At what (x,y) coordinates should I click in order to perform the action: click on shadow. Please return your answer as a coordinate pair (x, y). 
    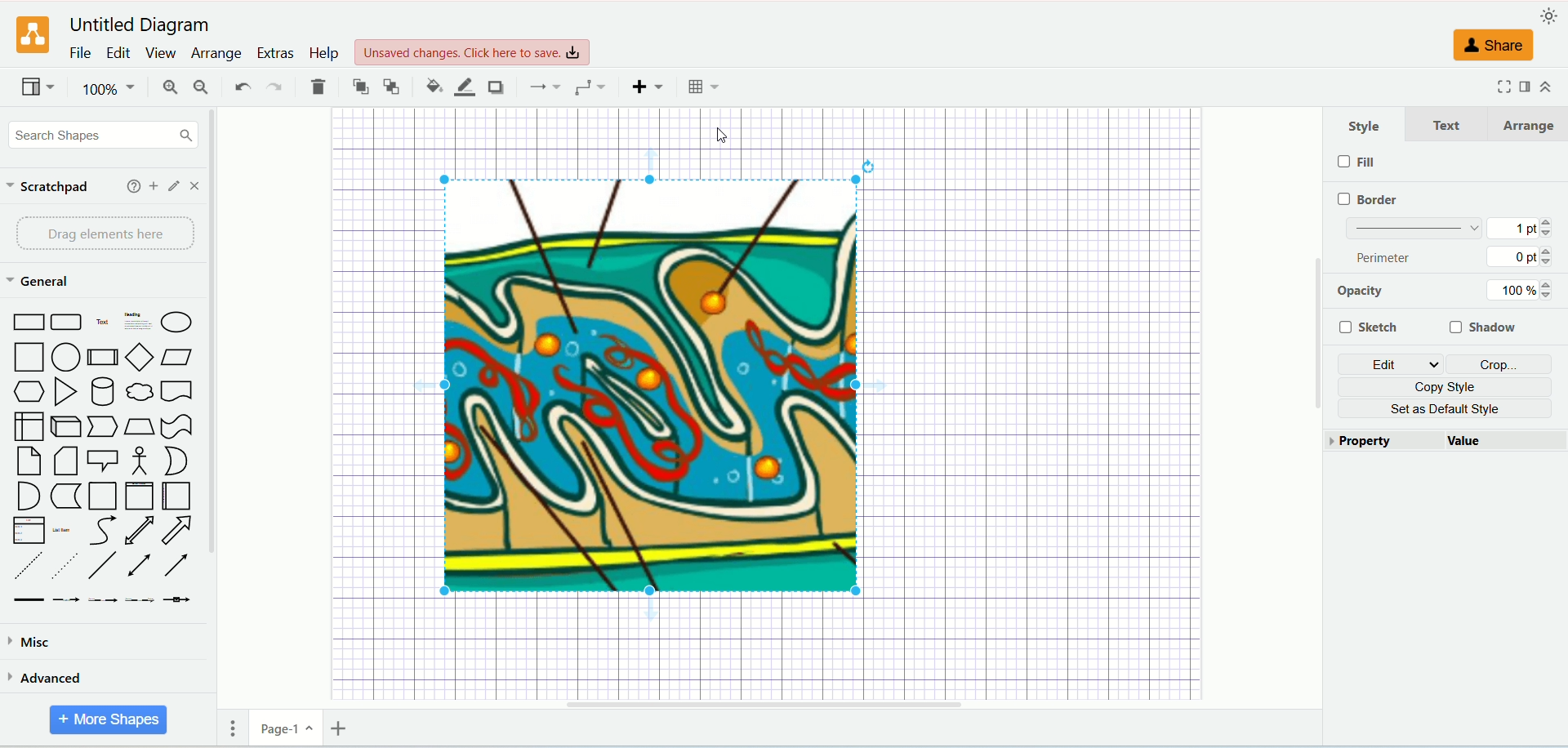
    Looking at the image, I should click on (1483, 328).